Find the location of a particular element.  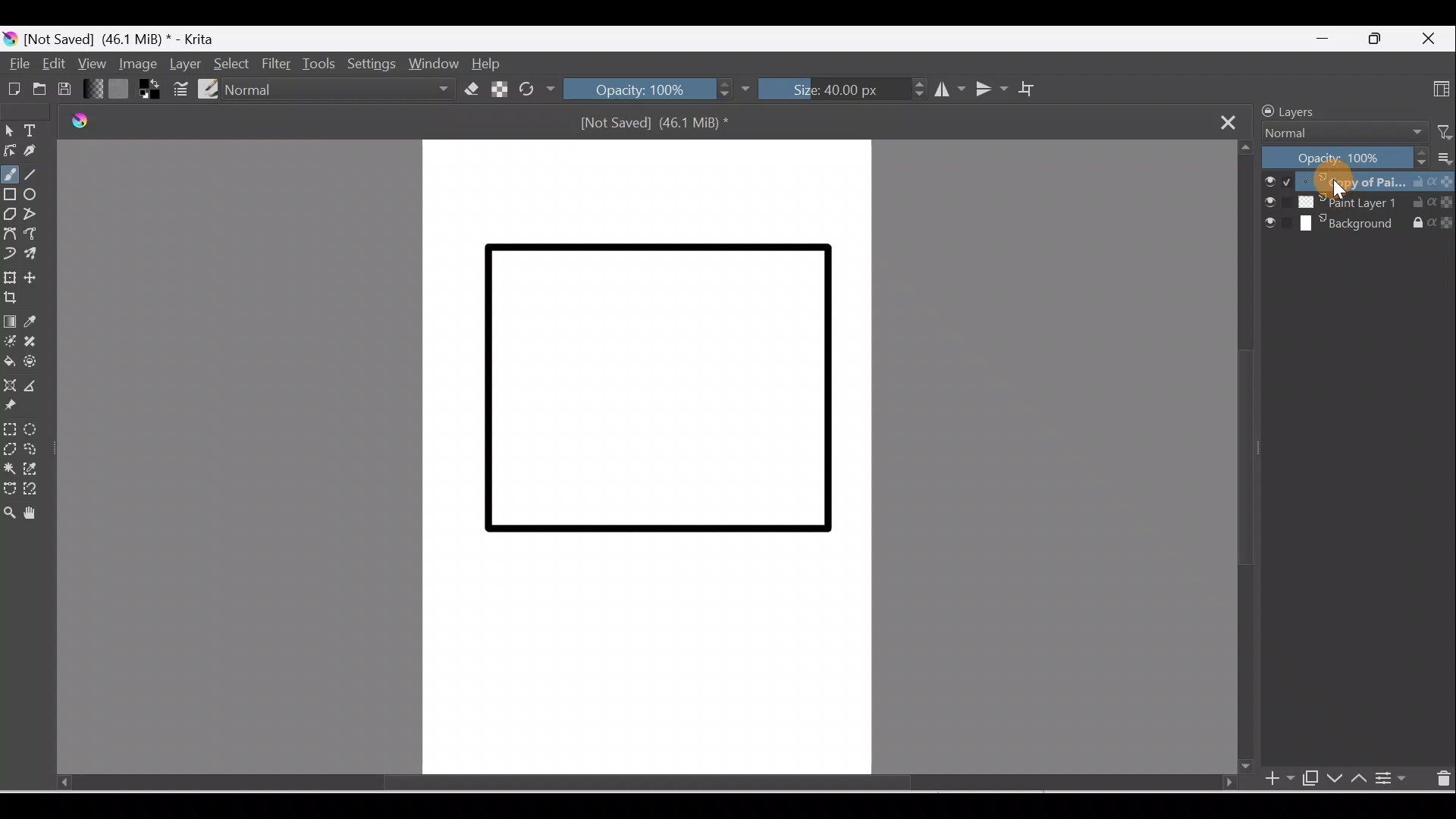

Line tool is located at coordinates (34, 174).